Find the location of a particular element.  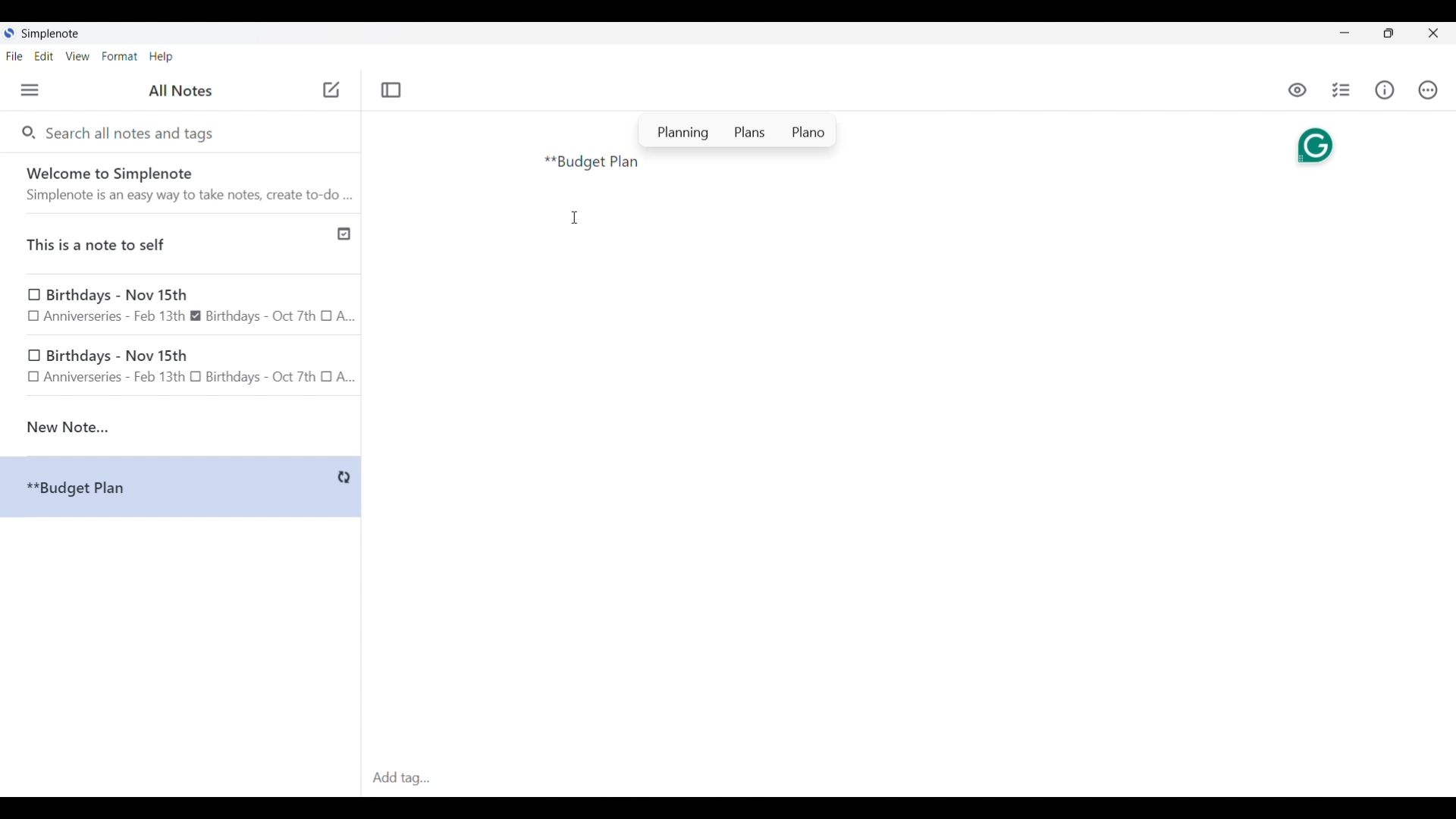

Grammarly extension activated is located at coordinates (1313, 143).